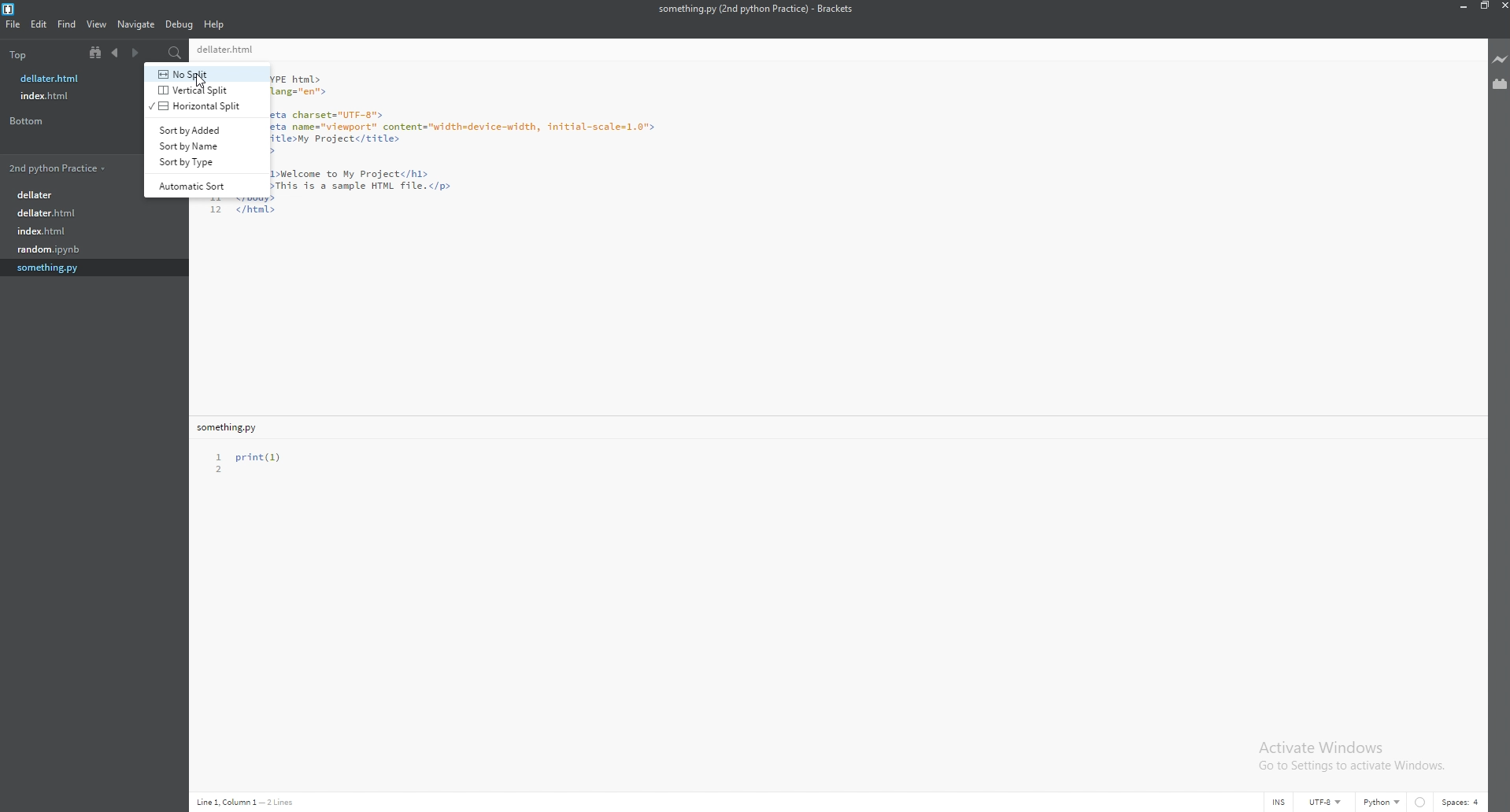 This screenshot has width=1510, height=812. What do you see at coordinates (73, 95) in the screenshot?
I see `file name` at bounding box center [73, 95].